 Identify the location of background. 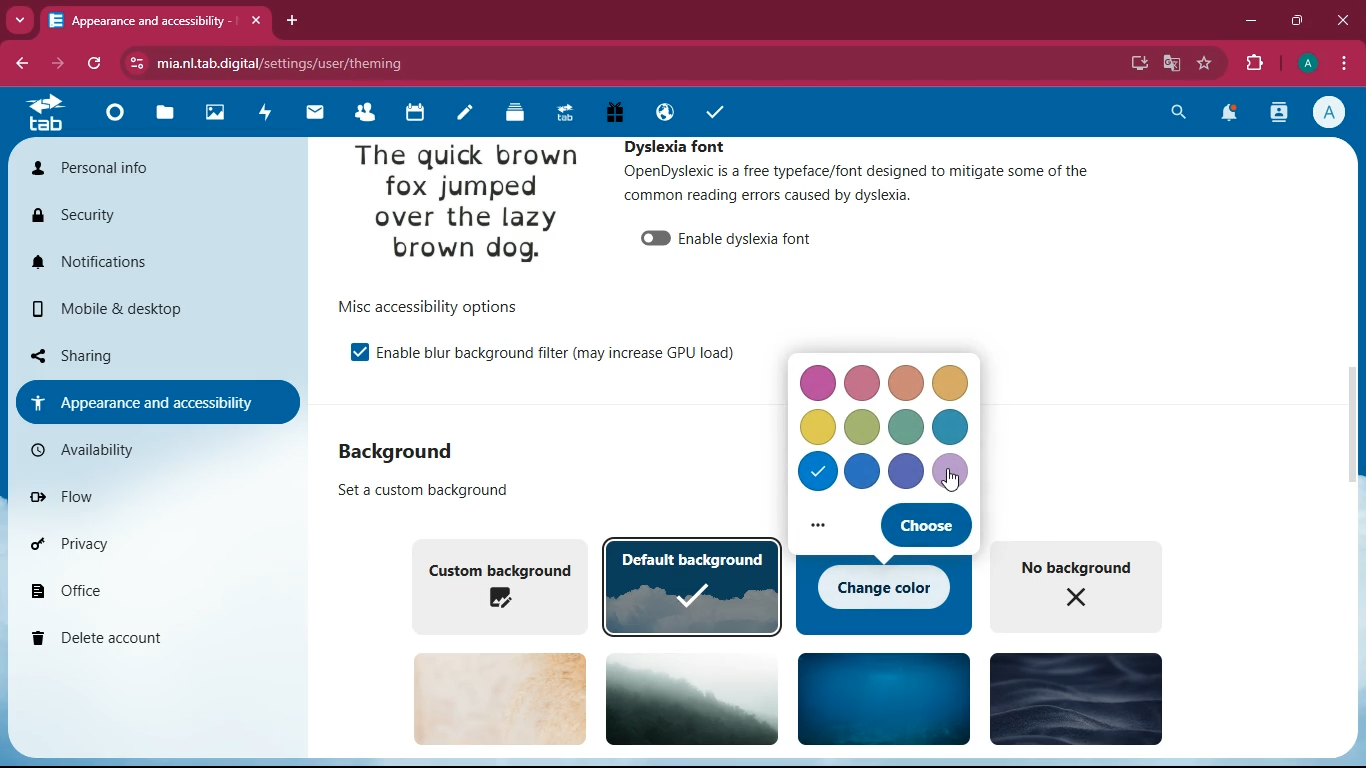
(695, 698).